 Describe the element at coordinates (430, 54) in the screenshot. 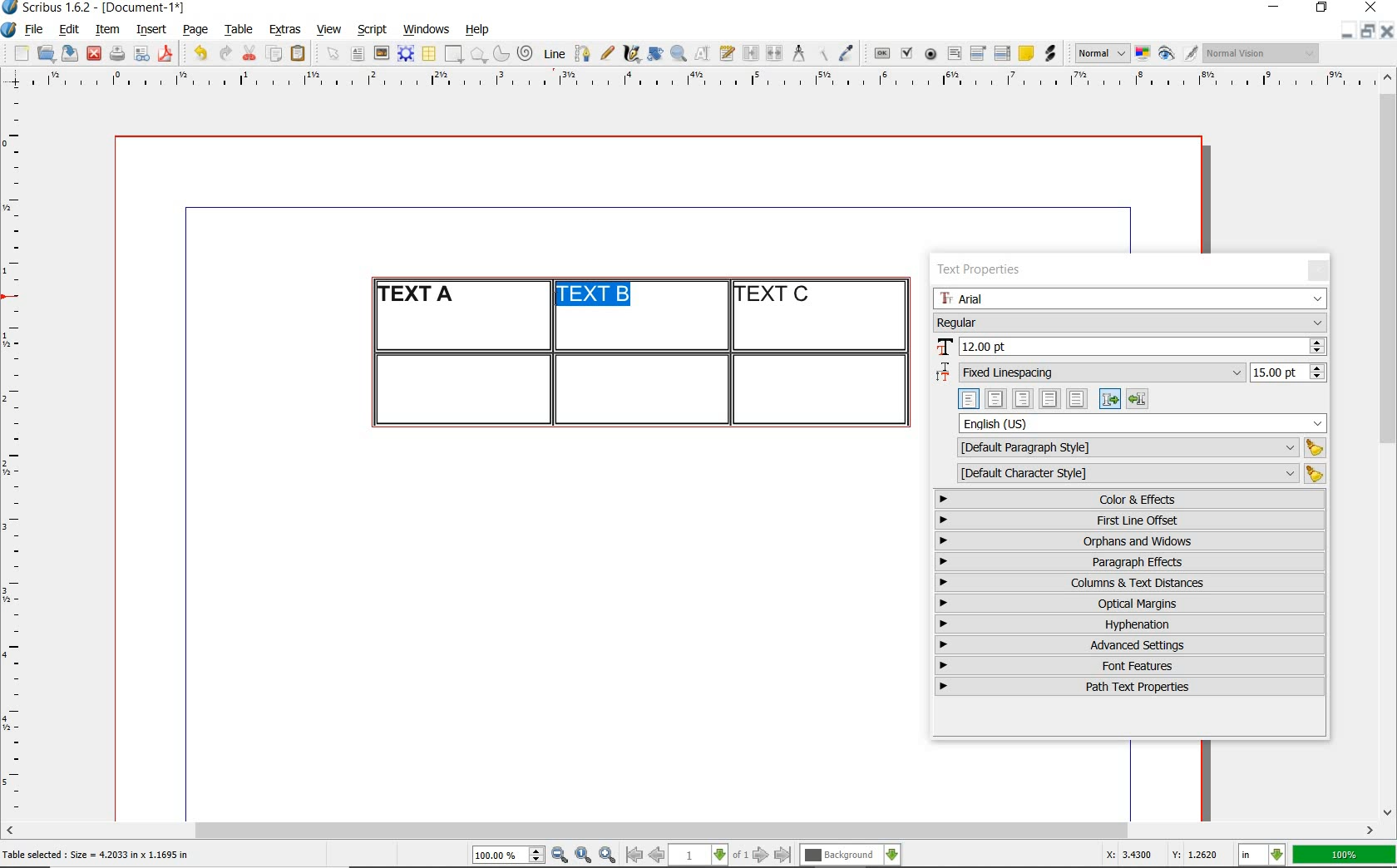

I see `table` at that location.